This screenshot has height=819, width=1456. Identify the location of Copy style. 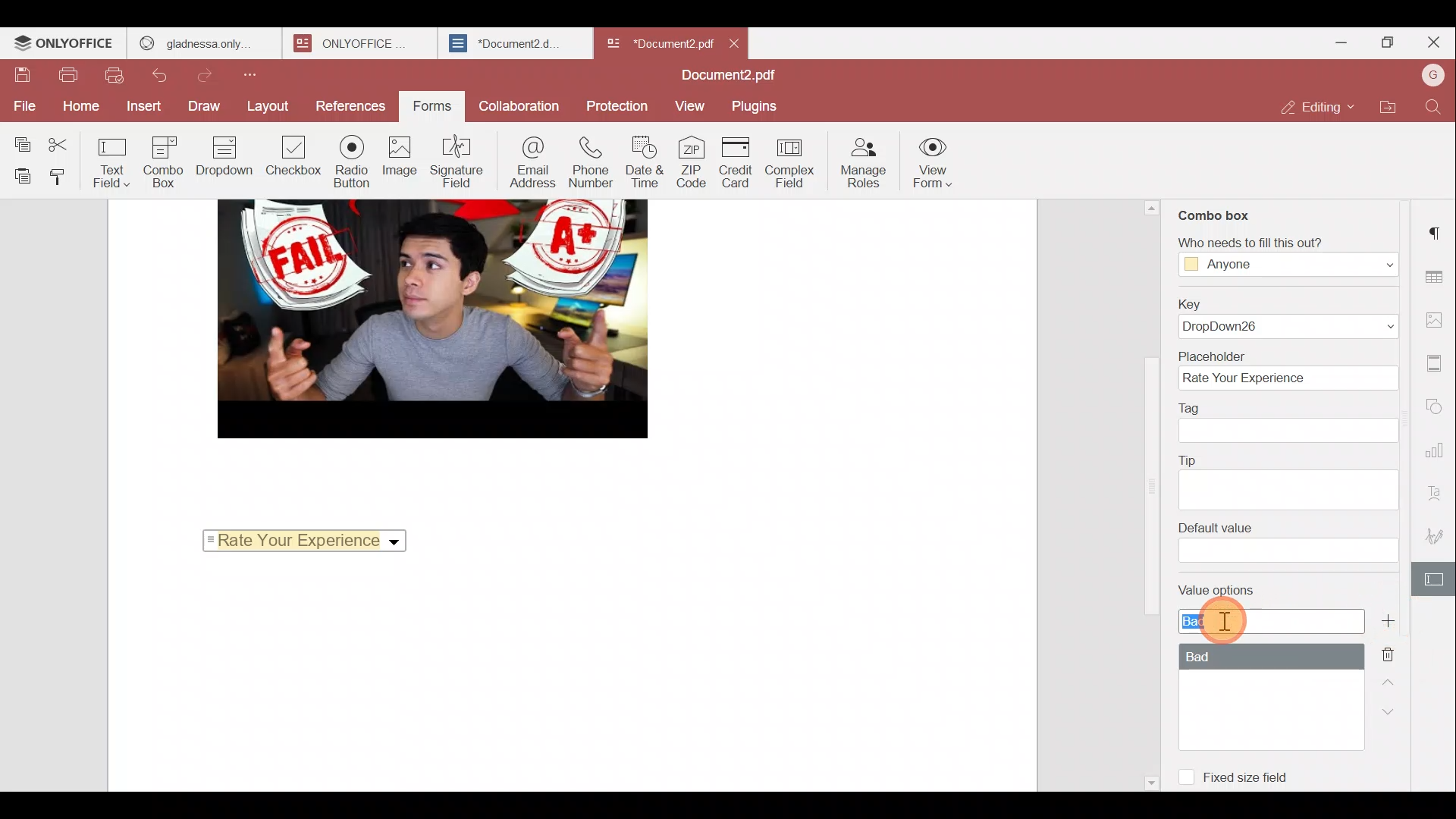
(65, 177).